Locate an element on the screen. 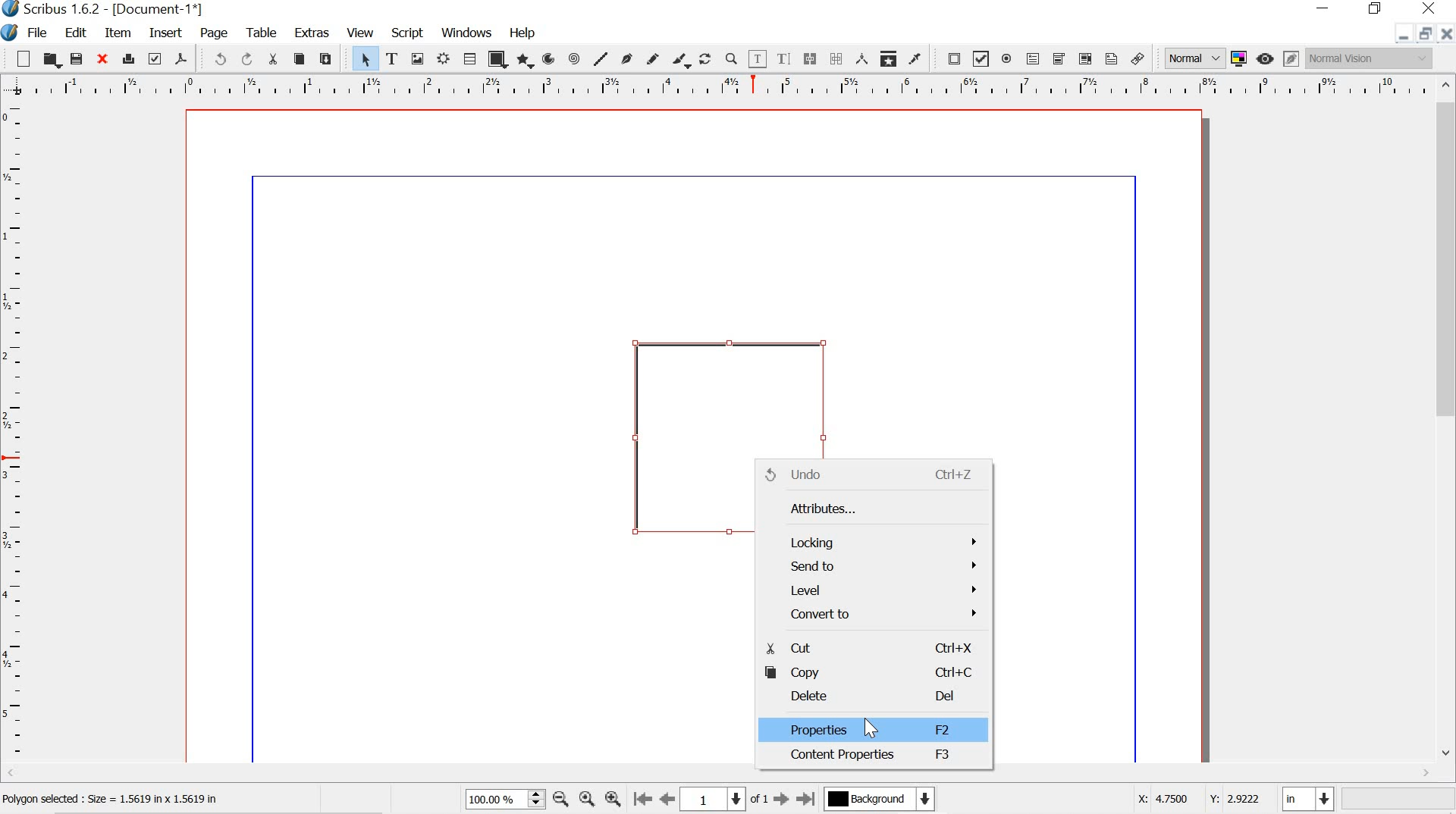 This screenshot has height=814, width=1456. close is located at coordinates (1446, 36).